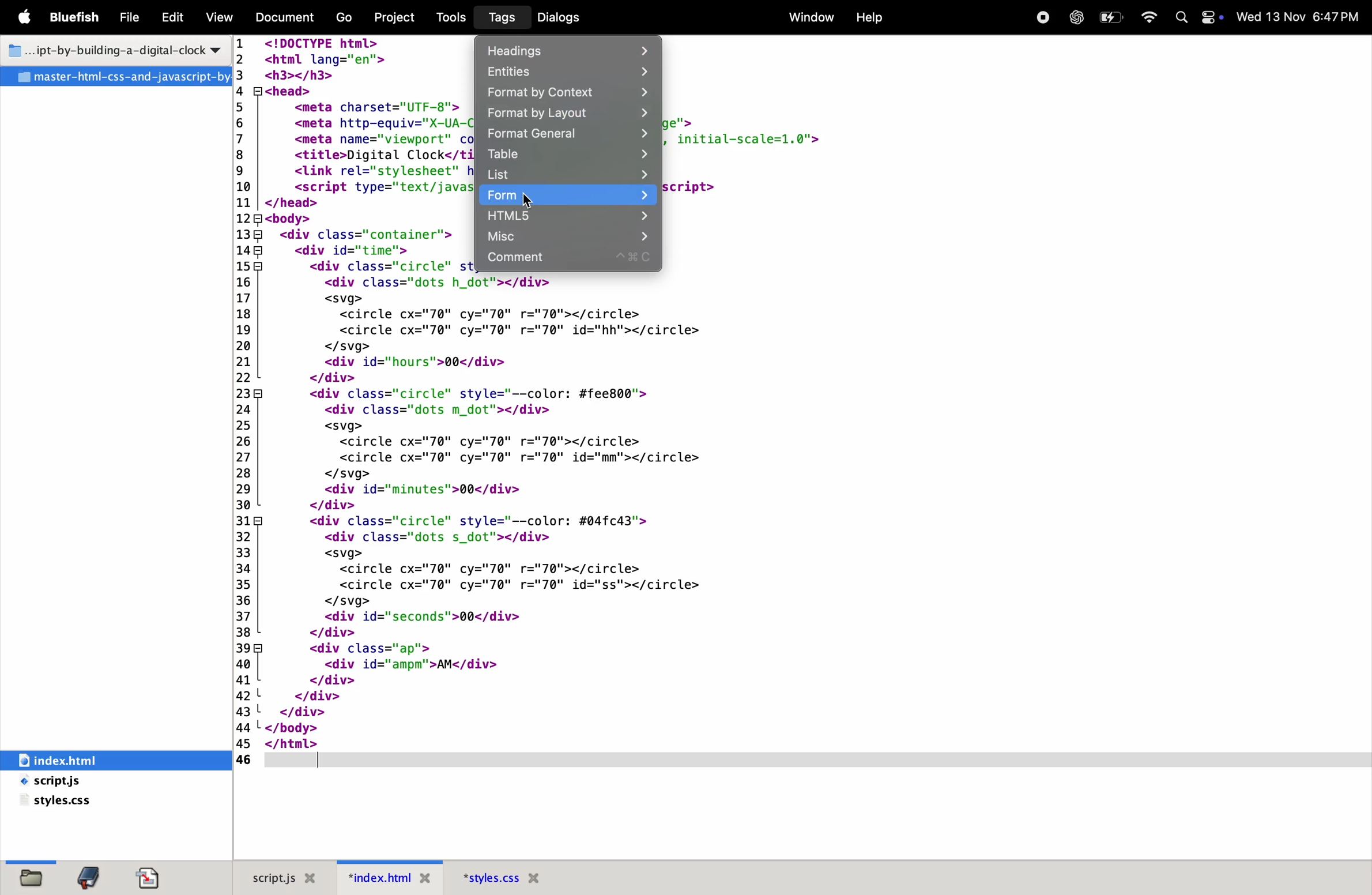 Image resolution: width=1372 pixels, height=895 pixels. Describe the element at coordinates (246, 401) in the screenshot. I see `Line numbers` at that location.